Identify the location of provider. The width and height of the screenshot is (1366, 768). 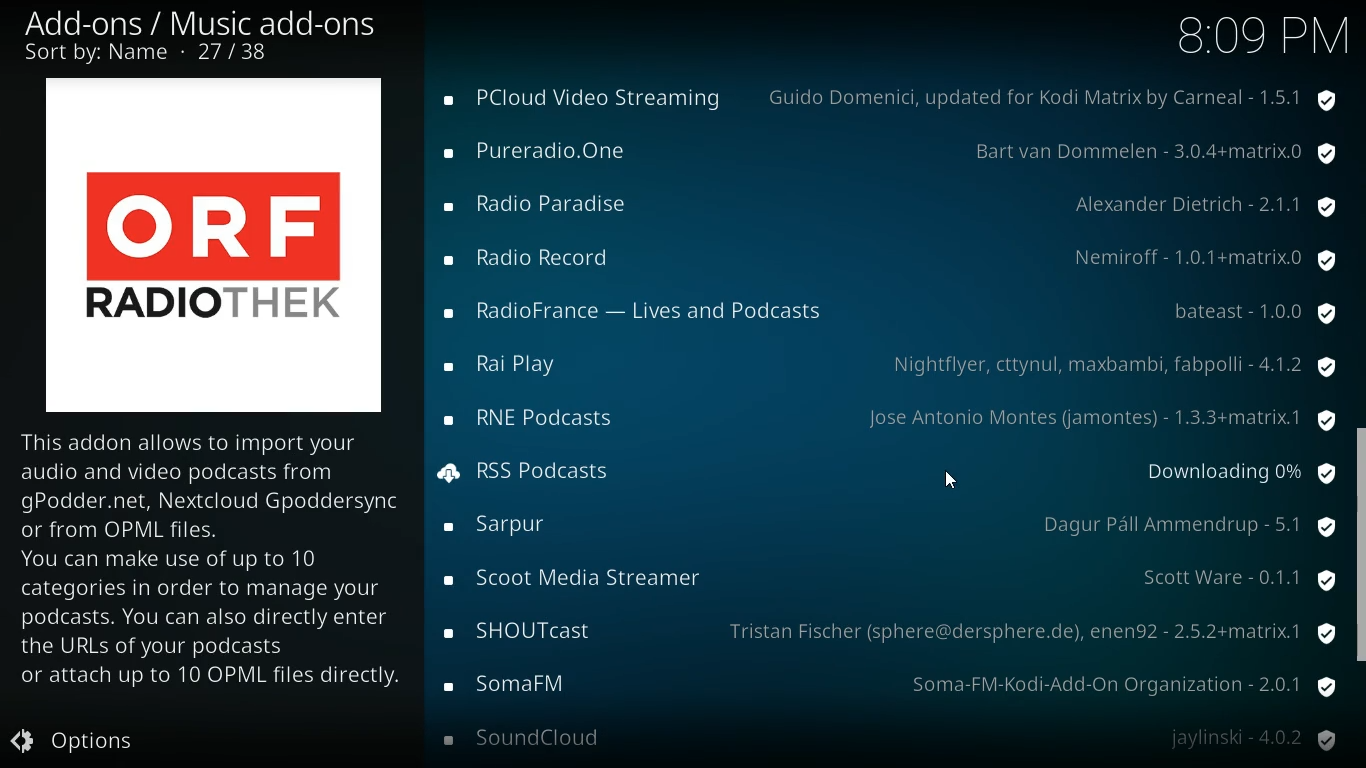
(1254, 737).